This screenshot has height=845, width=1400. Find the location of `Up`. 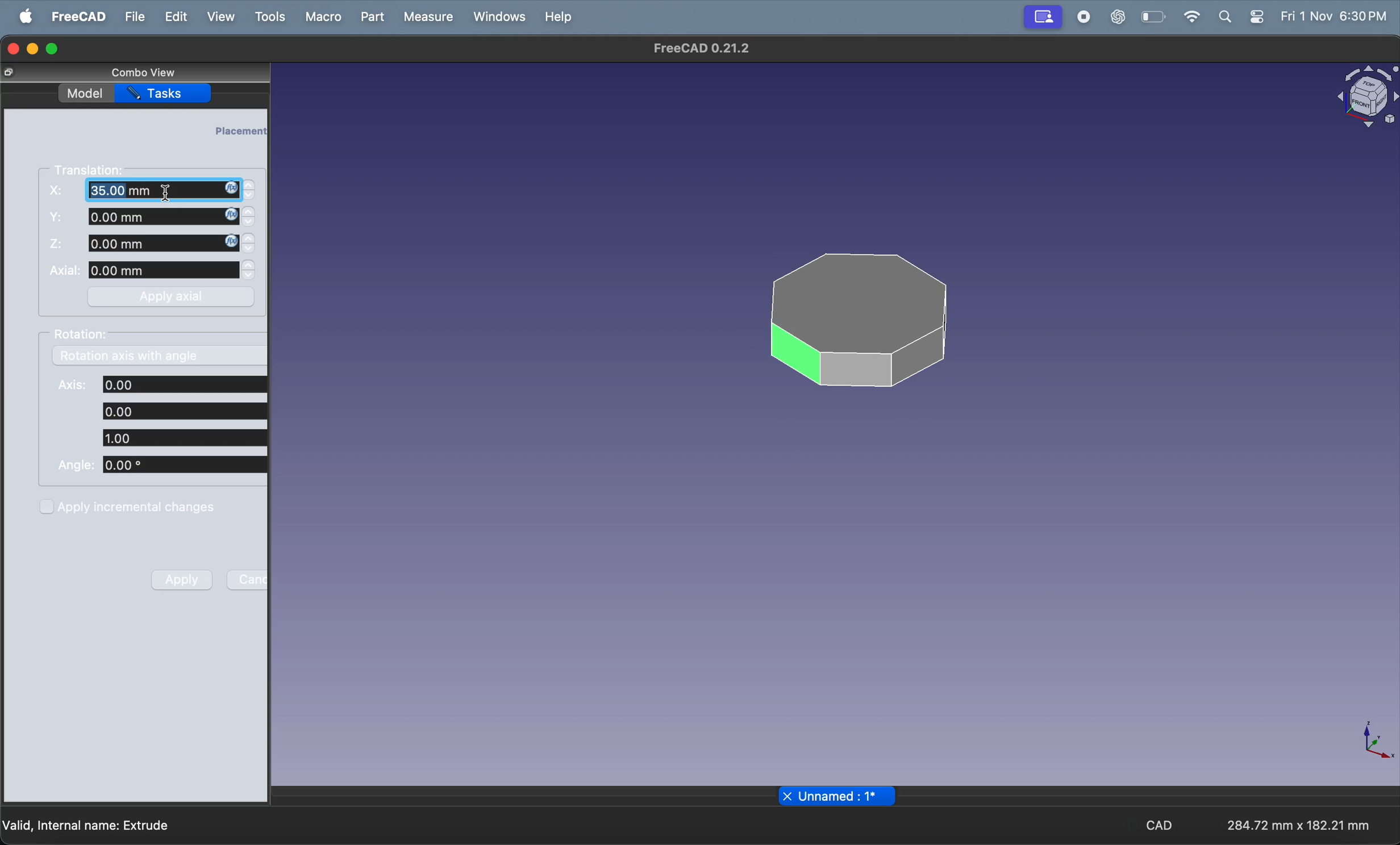

Up is located at coordinates (248, 184).